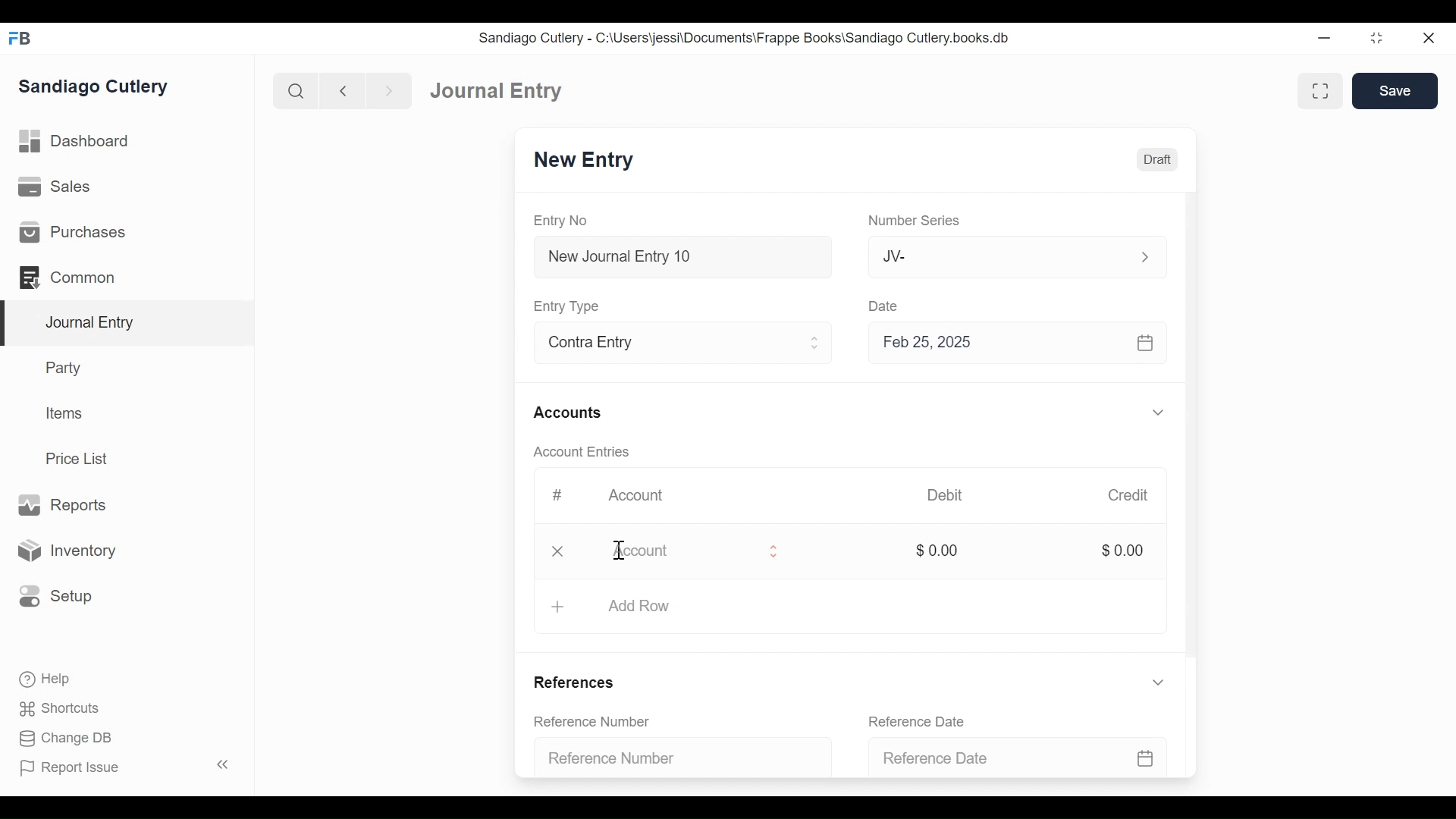  I want to click on Reference Number, so click(675, 756).